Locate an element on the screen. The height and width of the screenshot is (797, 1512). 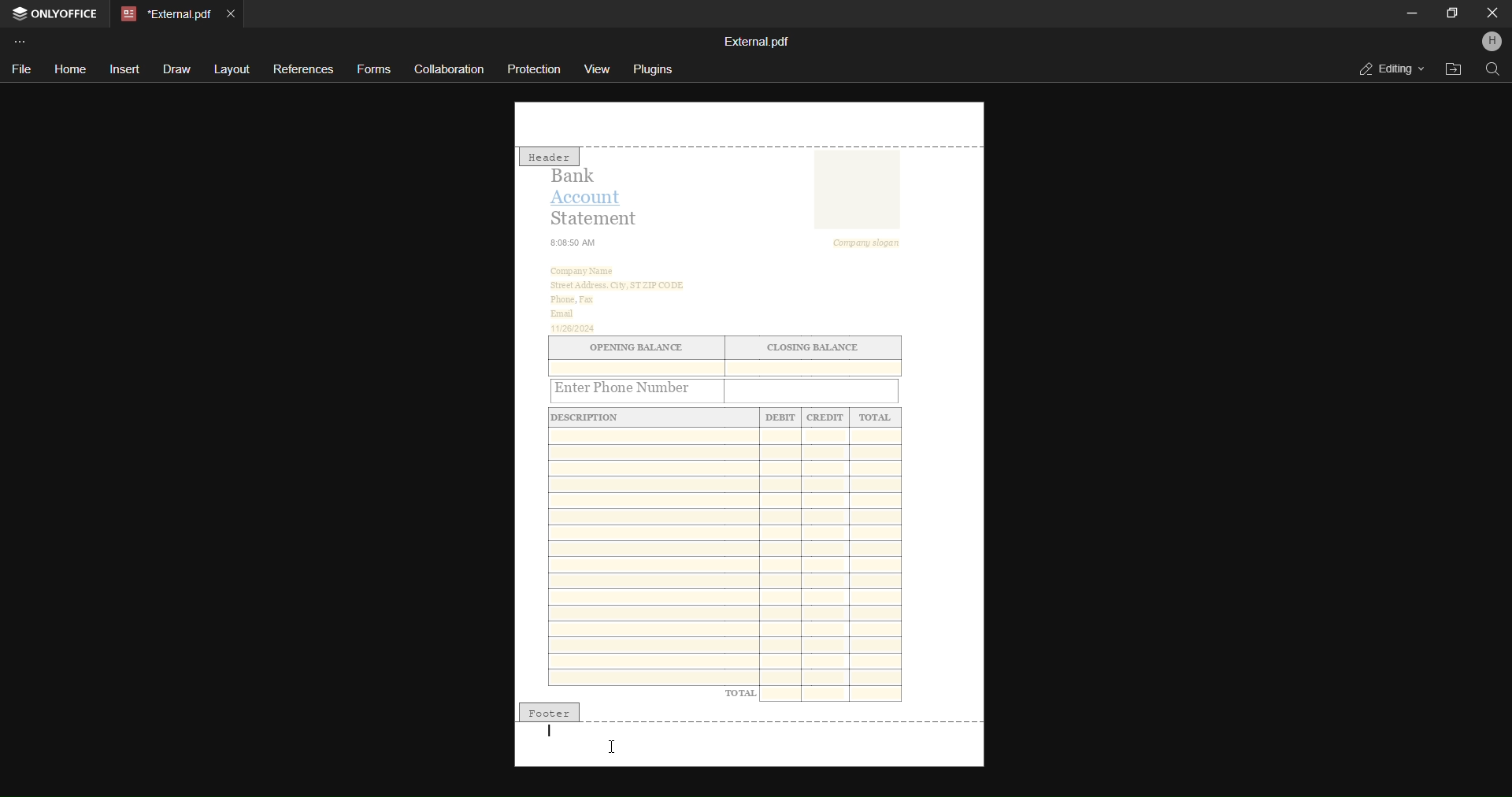
Enter Phone Number is located at coordinates (638, 389).